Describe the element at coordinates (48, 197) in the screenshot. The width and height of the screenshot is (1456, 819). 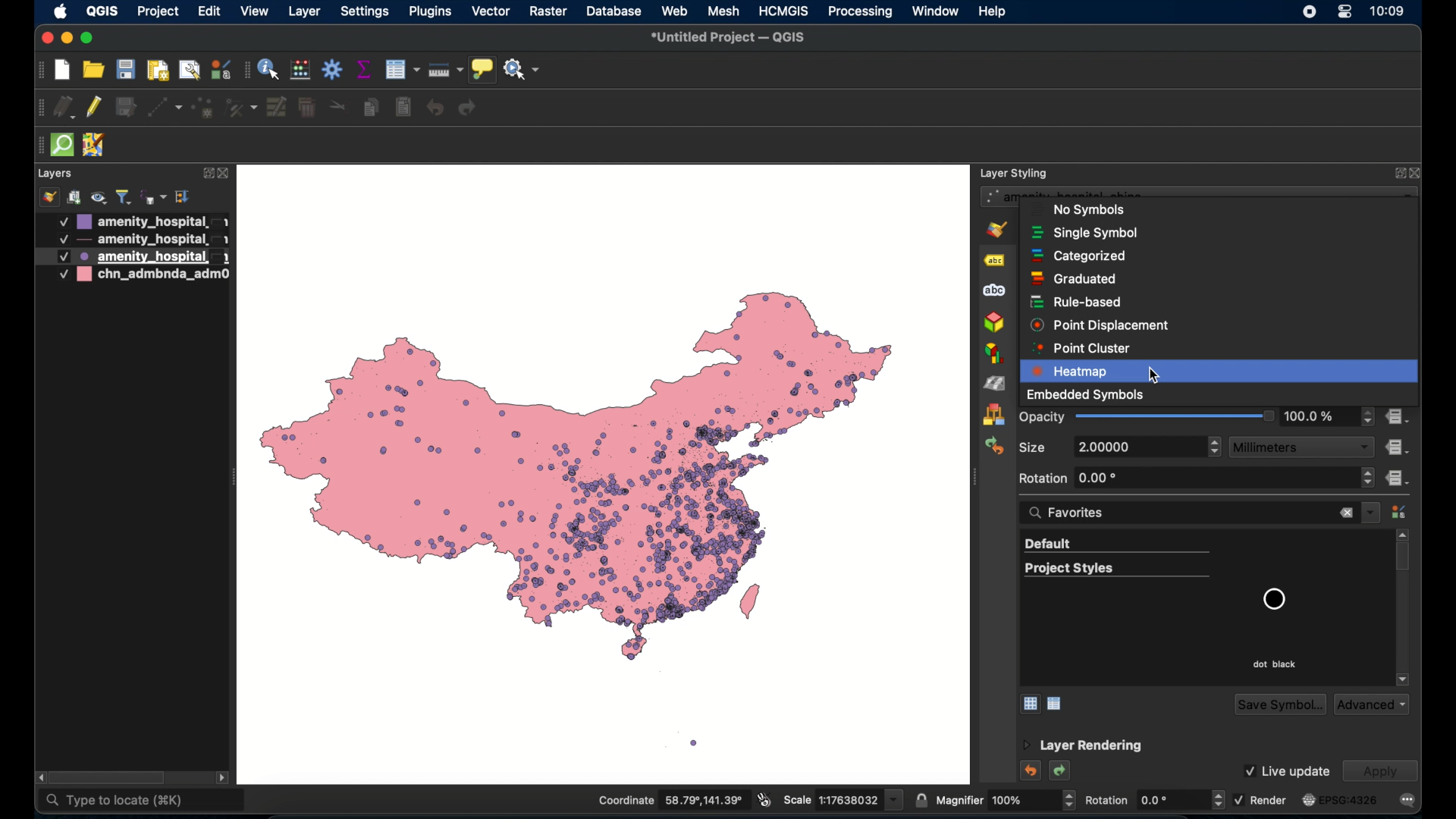
I see `style manager` at that location.